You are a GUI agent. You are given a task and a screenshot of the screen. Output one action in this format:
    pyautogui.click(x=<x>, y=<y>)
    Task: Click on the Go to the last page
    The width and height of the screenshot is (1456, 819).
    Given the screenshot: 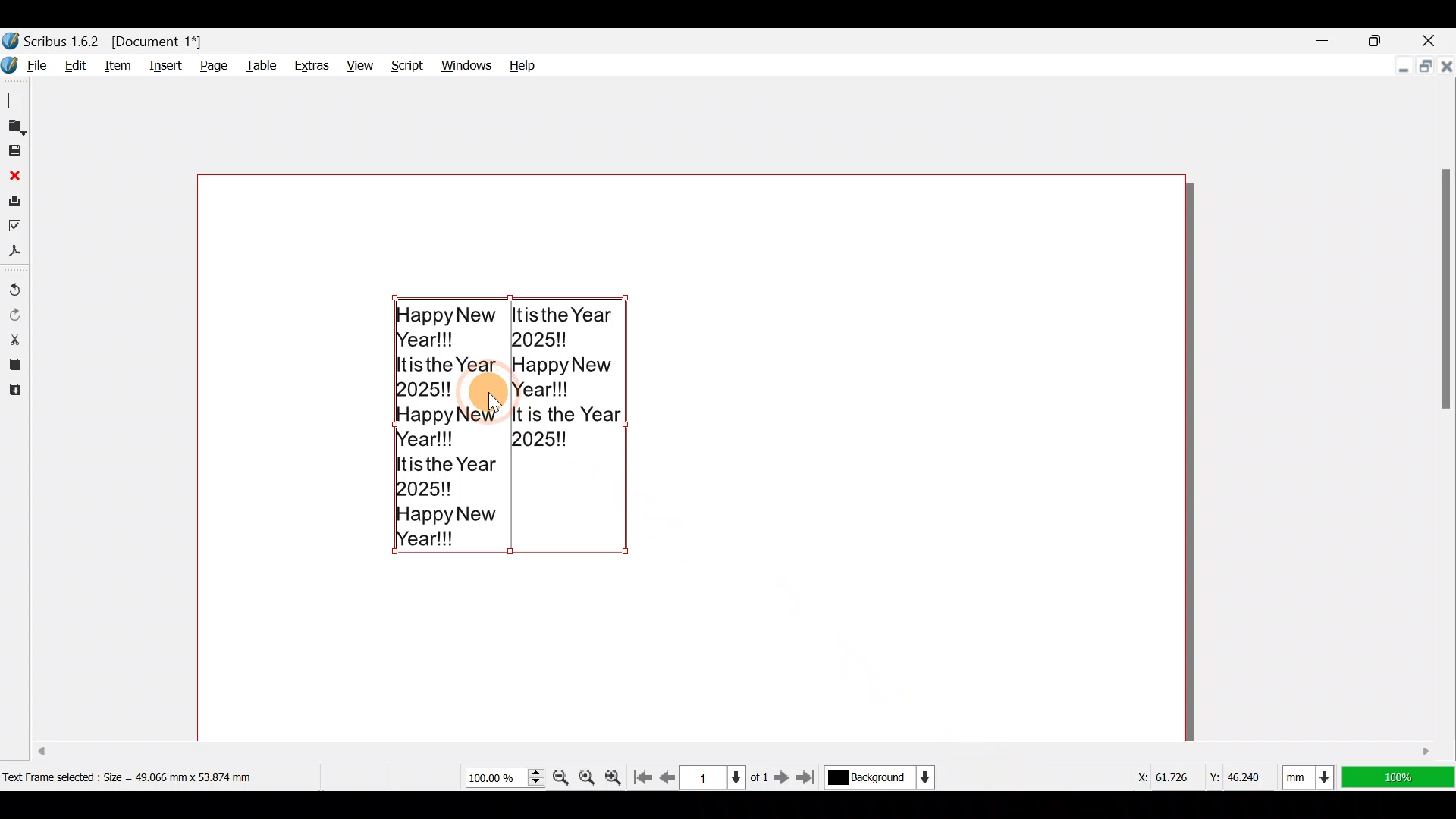 What is the action you would take?
    pyautogui.click(x=809, y=778)
    